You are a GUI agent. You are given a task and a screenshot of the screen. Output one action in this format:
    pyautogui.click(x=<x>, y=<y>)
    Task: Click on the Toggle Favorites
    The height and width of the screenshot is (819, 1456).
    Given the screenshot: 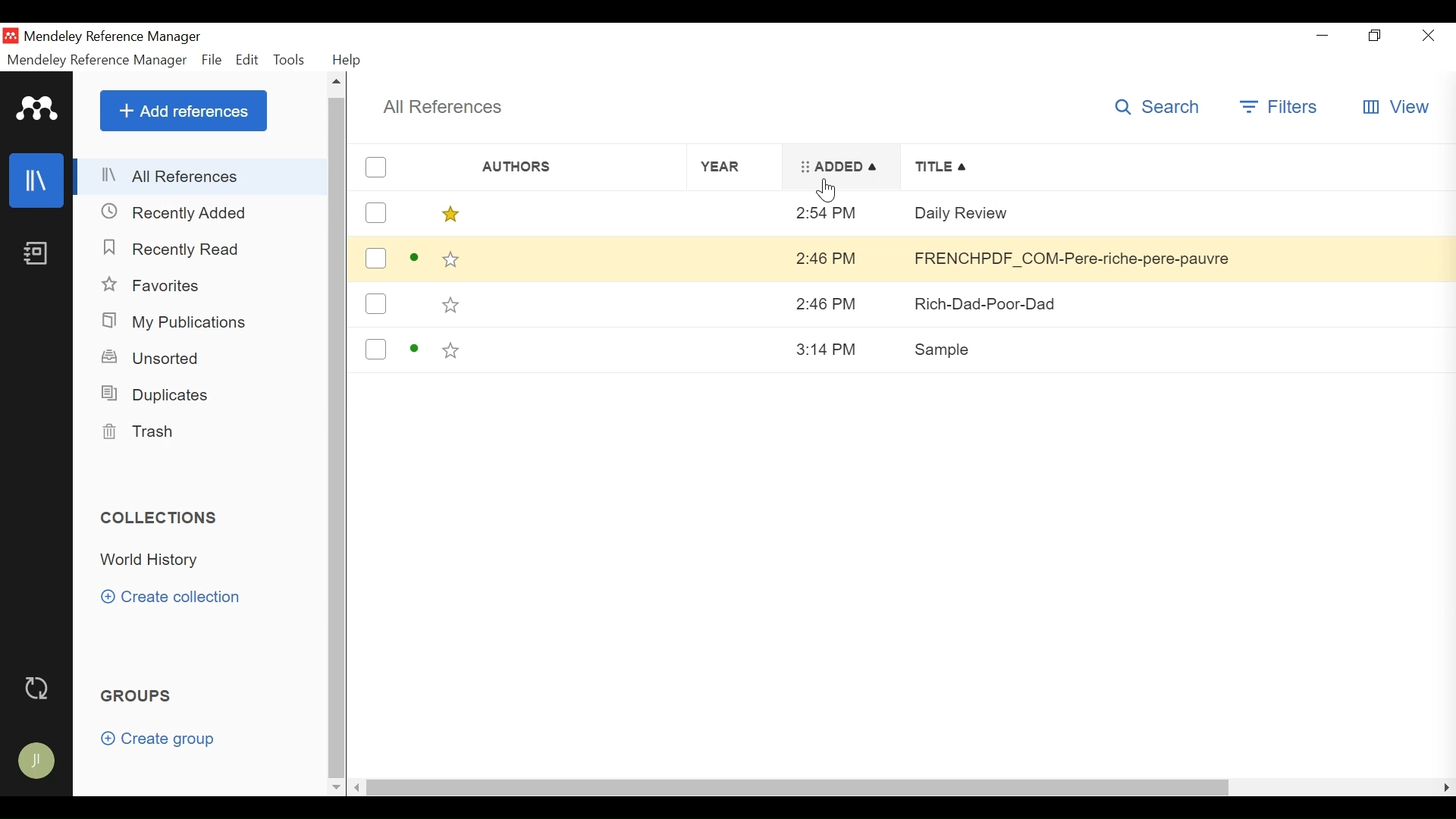 What is the action you would take?
    pyautogui.click(x=451, y=214)
    